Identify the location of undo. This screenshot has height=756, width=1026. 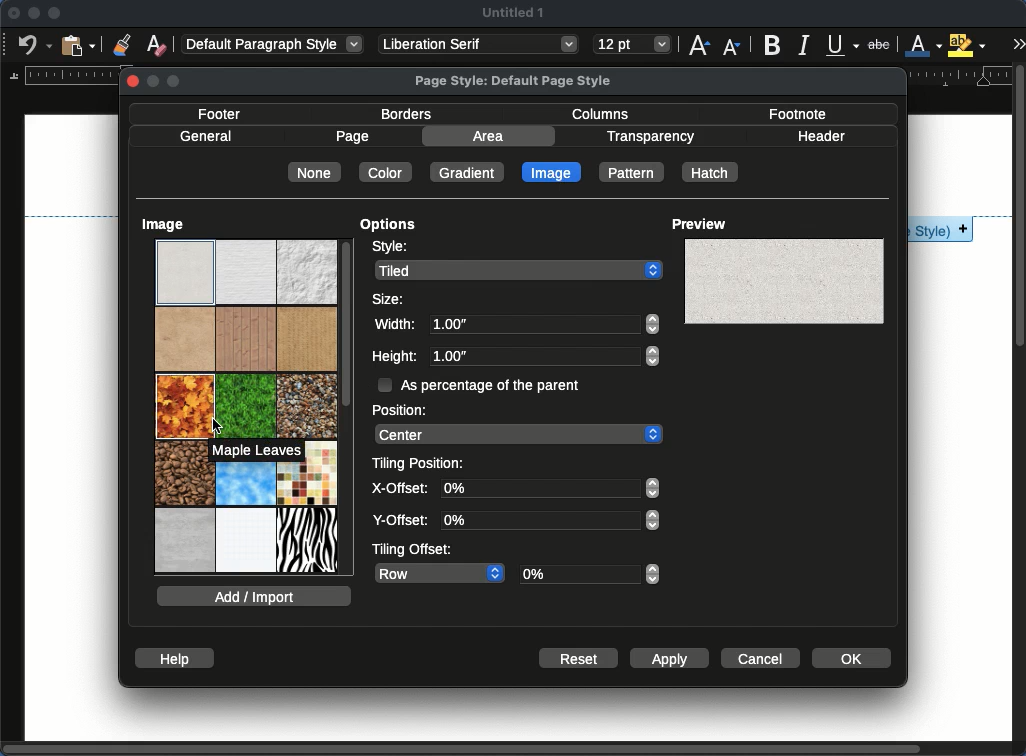
(32, 46).